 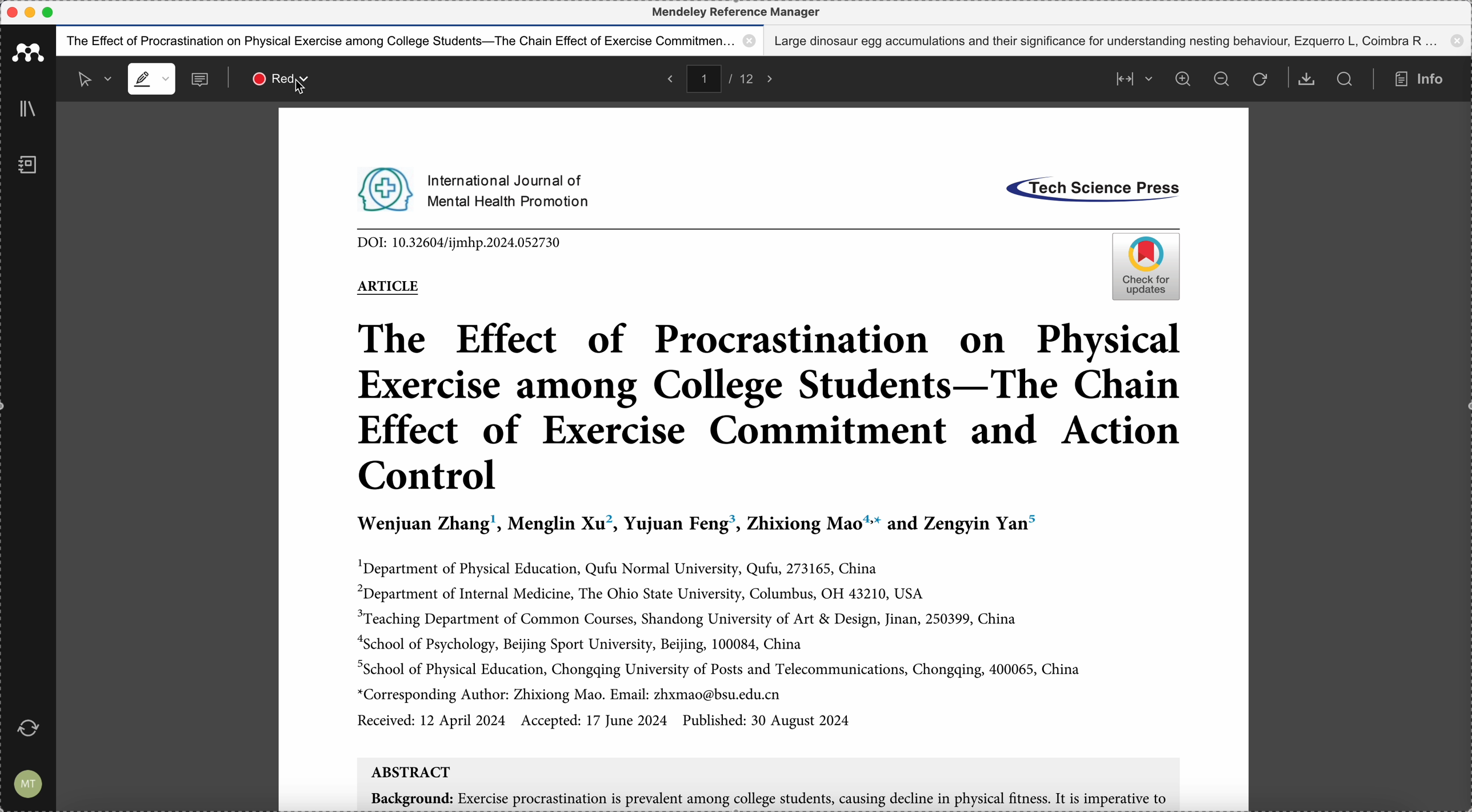 What do you see at coordinates (1182, 79) in the screenshot?
I see `zoom in` at bounding box center [1182, 79].